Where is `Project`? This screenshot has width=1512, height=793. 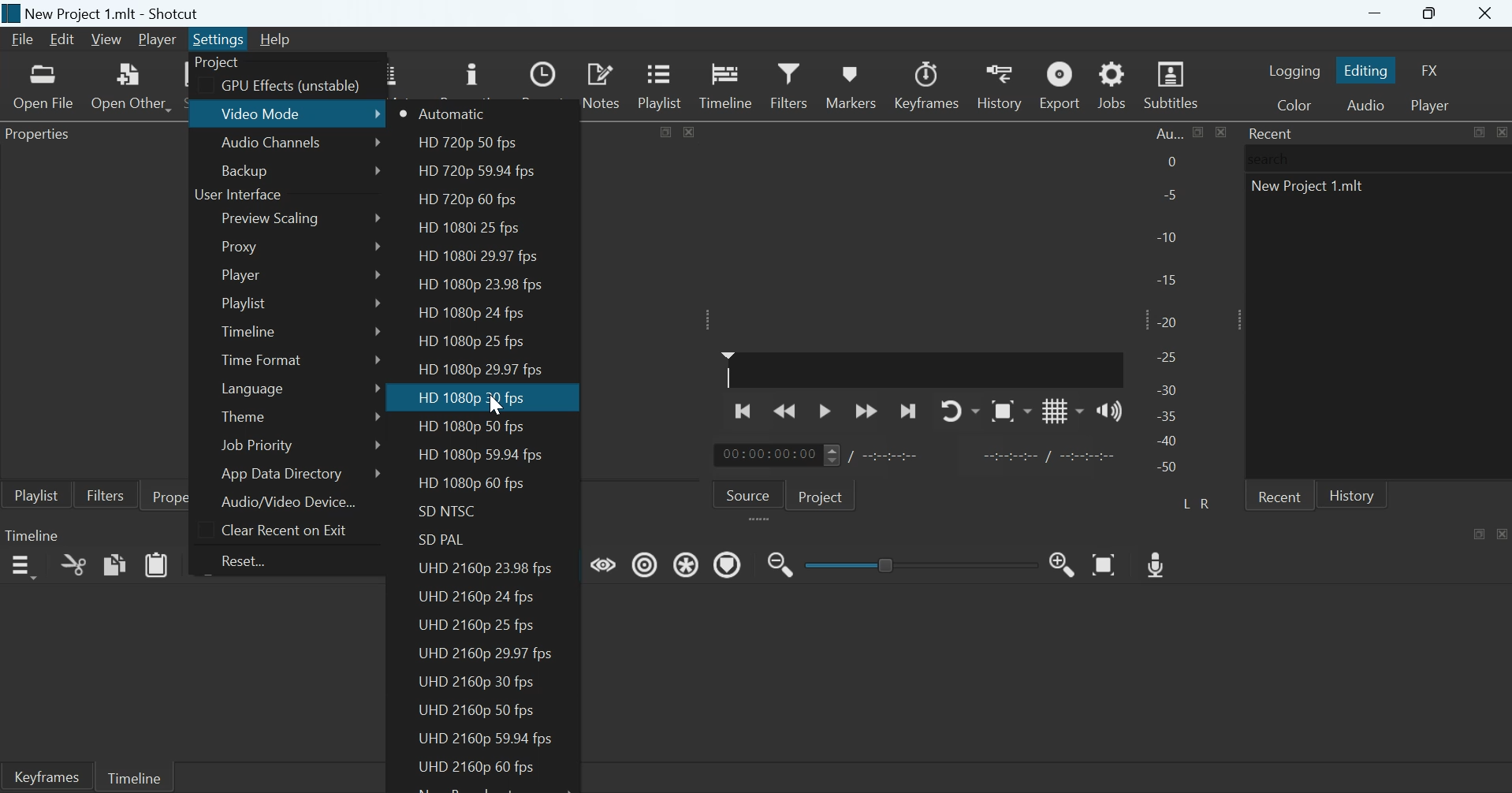 Project is located at coordinates (823, 495).